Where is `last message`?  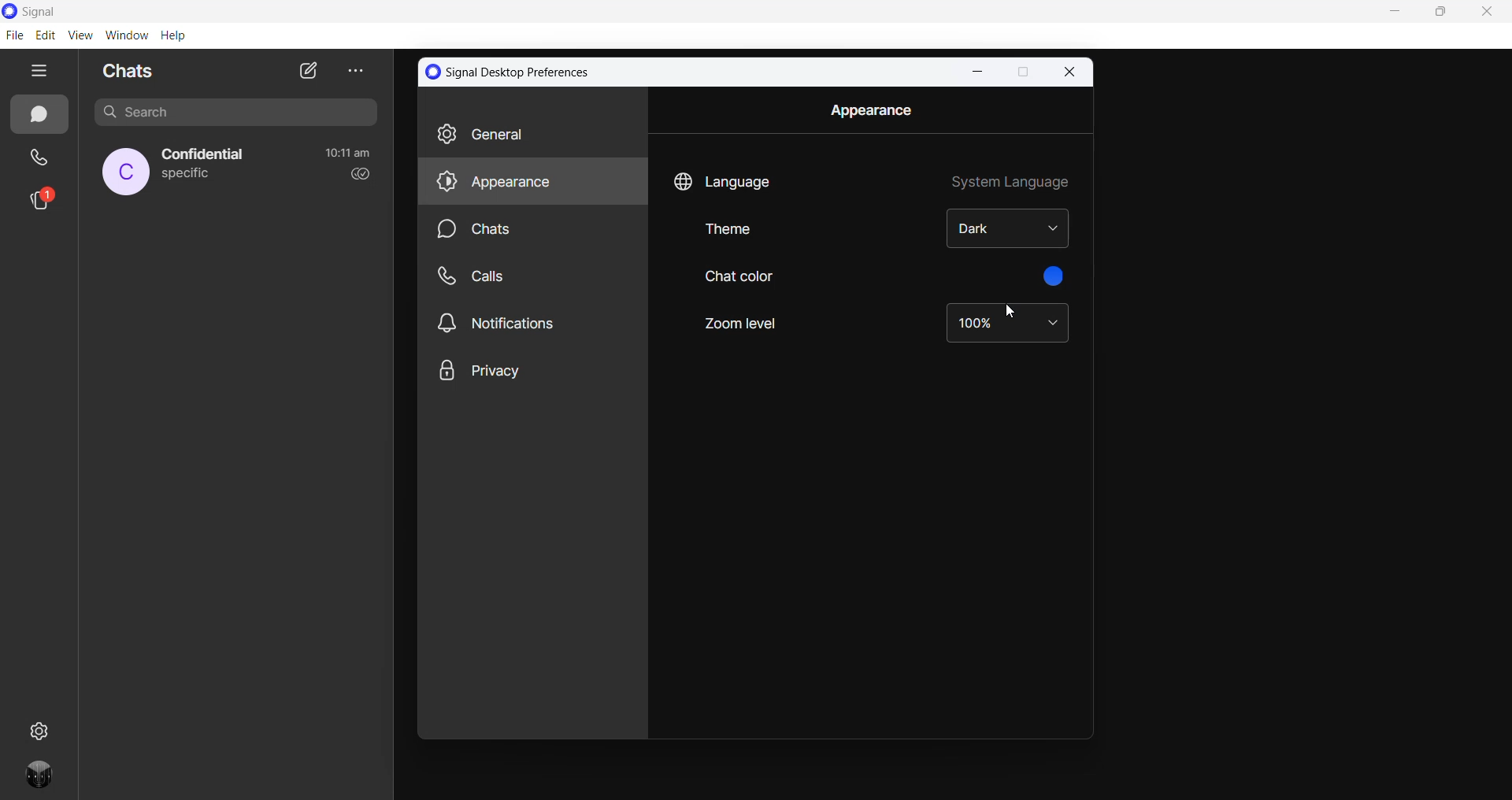 last message is located at coordinates (187, 176).